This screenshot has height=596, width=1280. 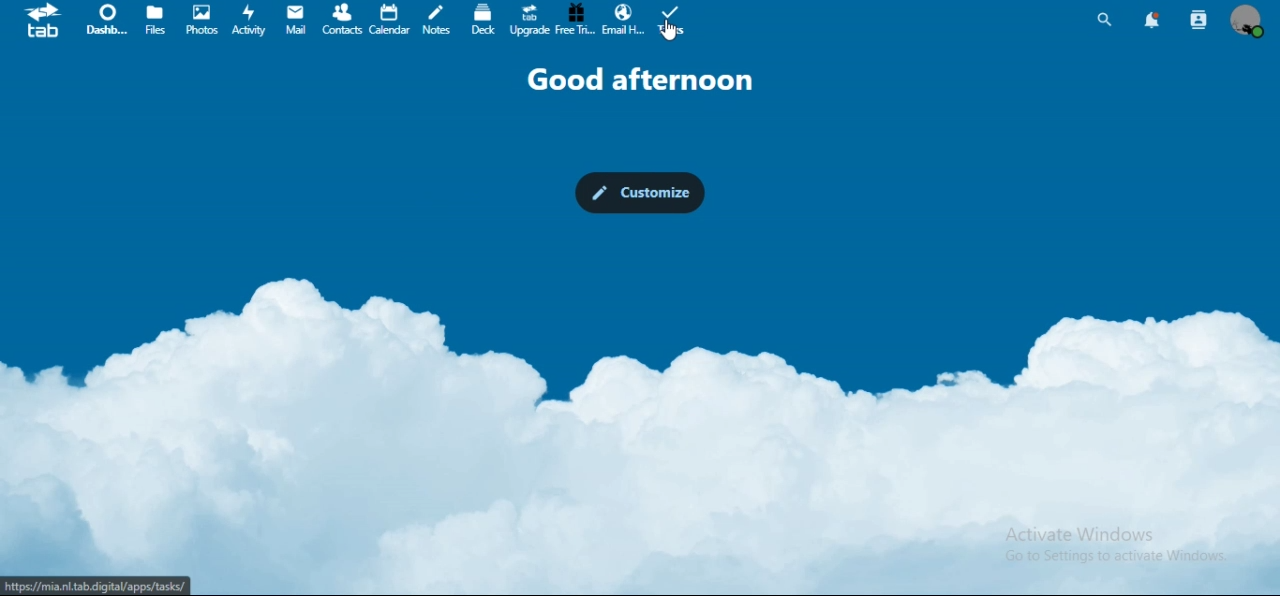 I want to click on search contacts, so click(x=1200, y=18).